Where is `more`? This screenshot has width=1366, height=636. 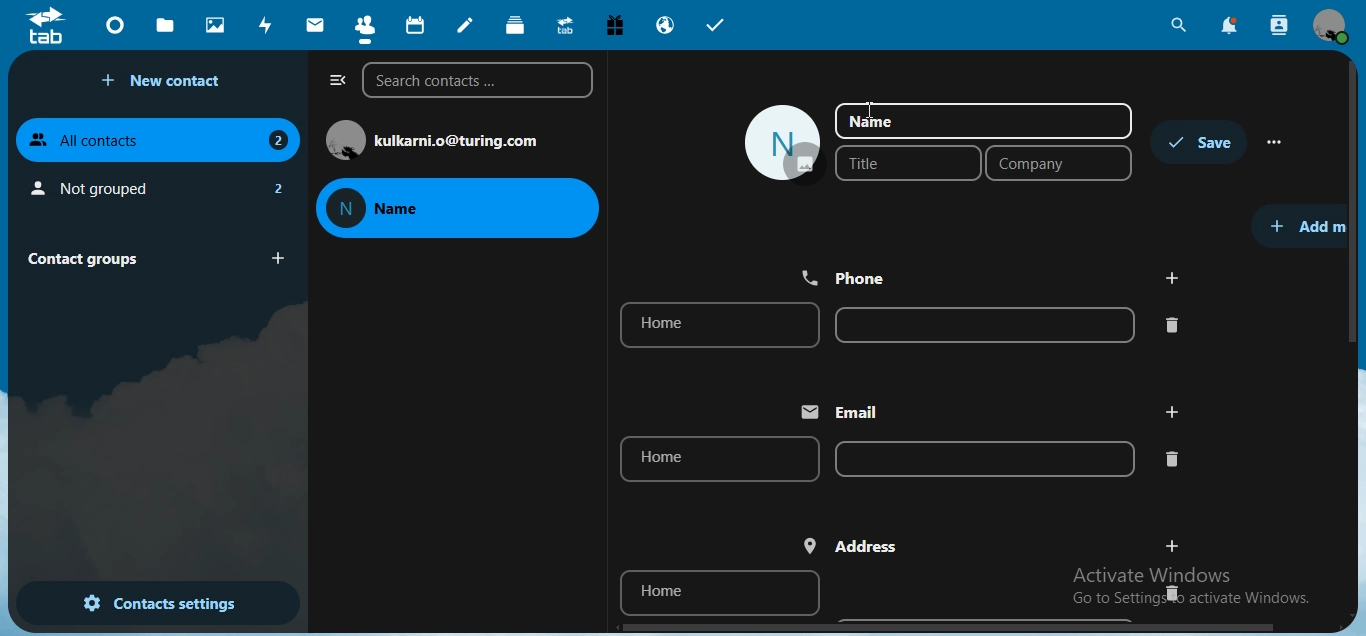
more is located at coordinates (1277, 142).